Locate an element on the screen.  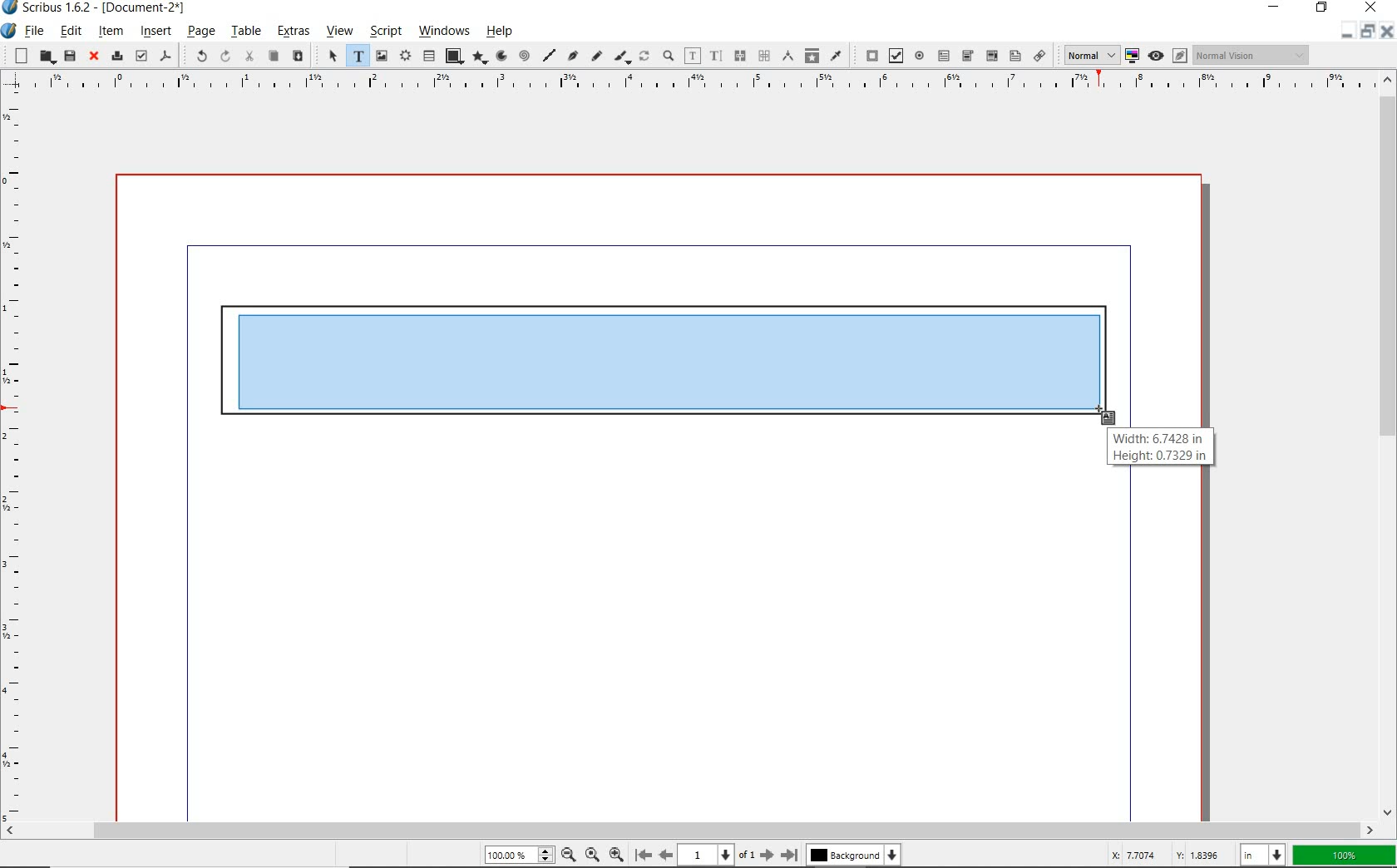
pdf combo box is located at coordinates (967, 57).